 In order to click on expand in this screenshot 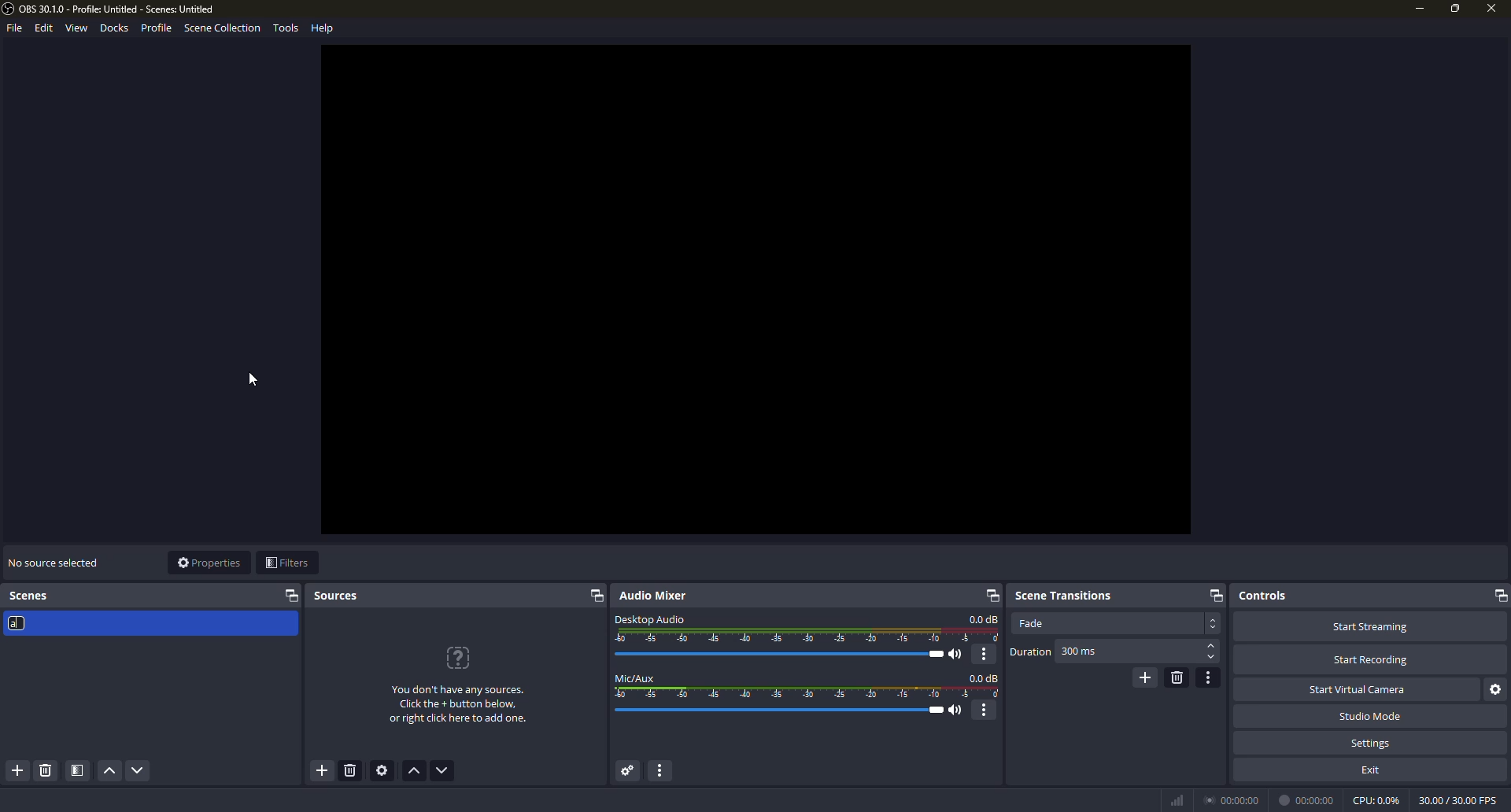, I will do `click(292, 596)`.